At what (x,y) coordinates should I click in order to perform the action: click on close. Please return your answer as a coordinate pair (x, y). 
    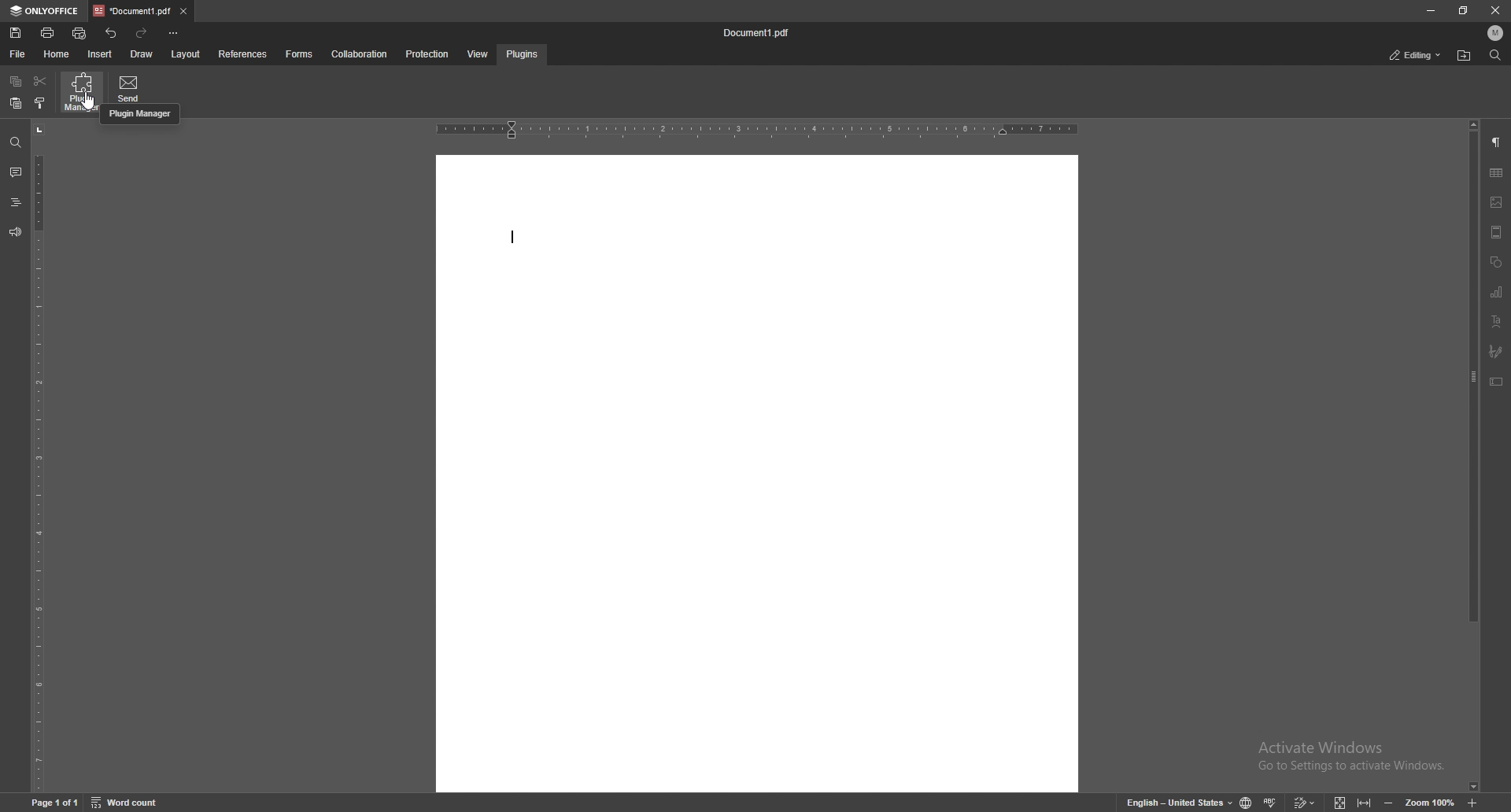
    Looking at the image, I should click on (1495, 11).